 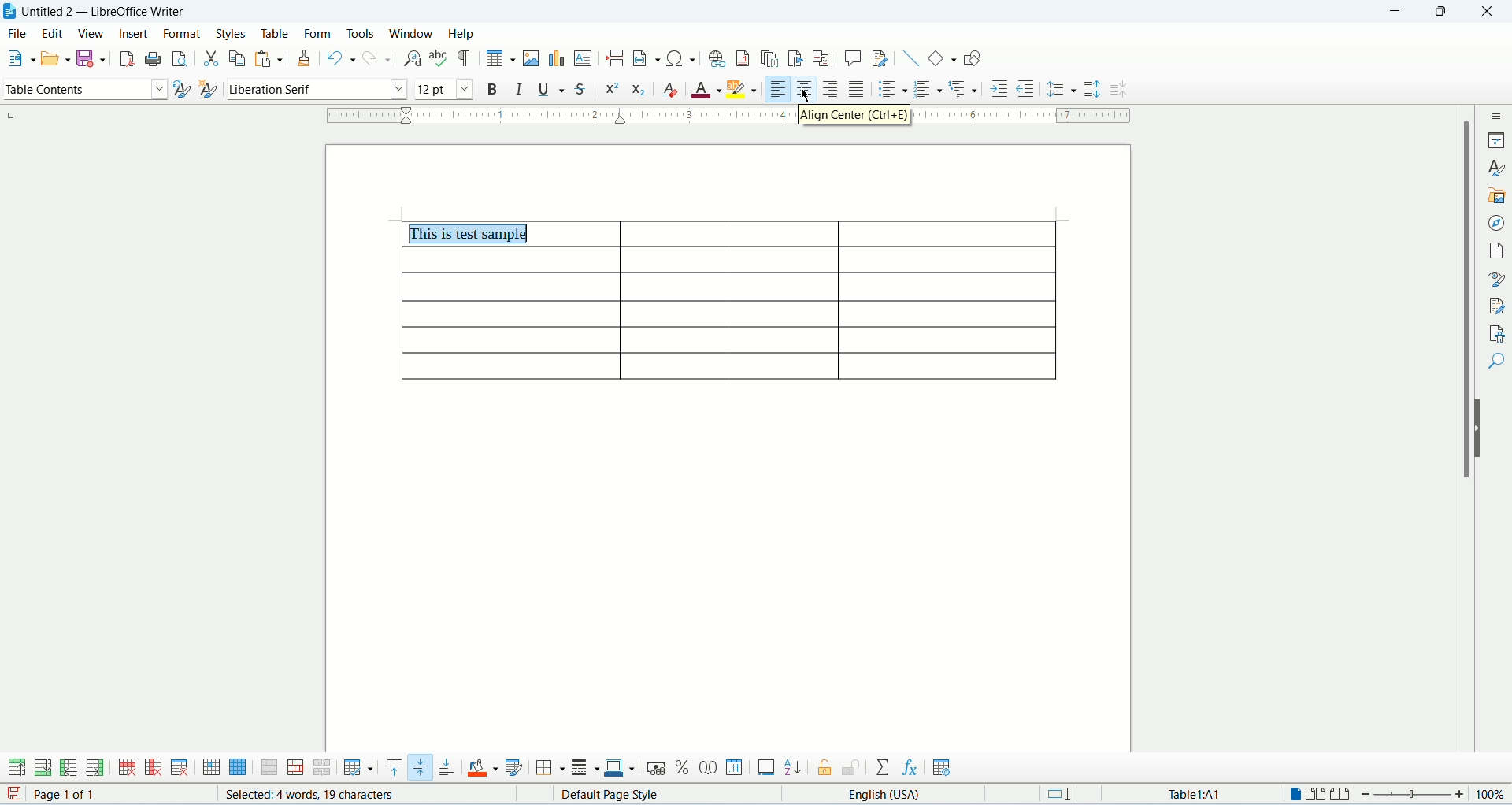 What do you see at coordinates (1064, 795) in the screenshot?
I see `standard selection` at bounding box center [1064, 795].